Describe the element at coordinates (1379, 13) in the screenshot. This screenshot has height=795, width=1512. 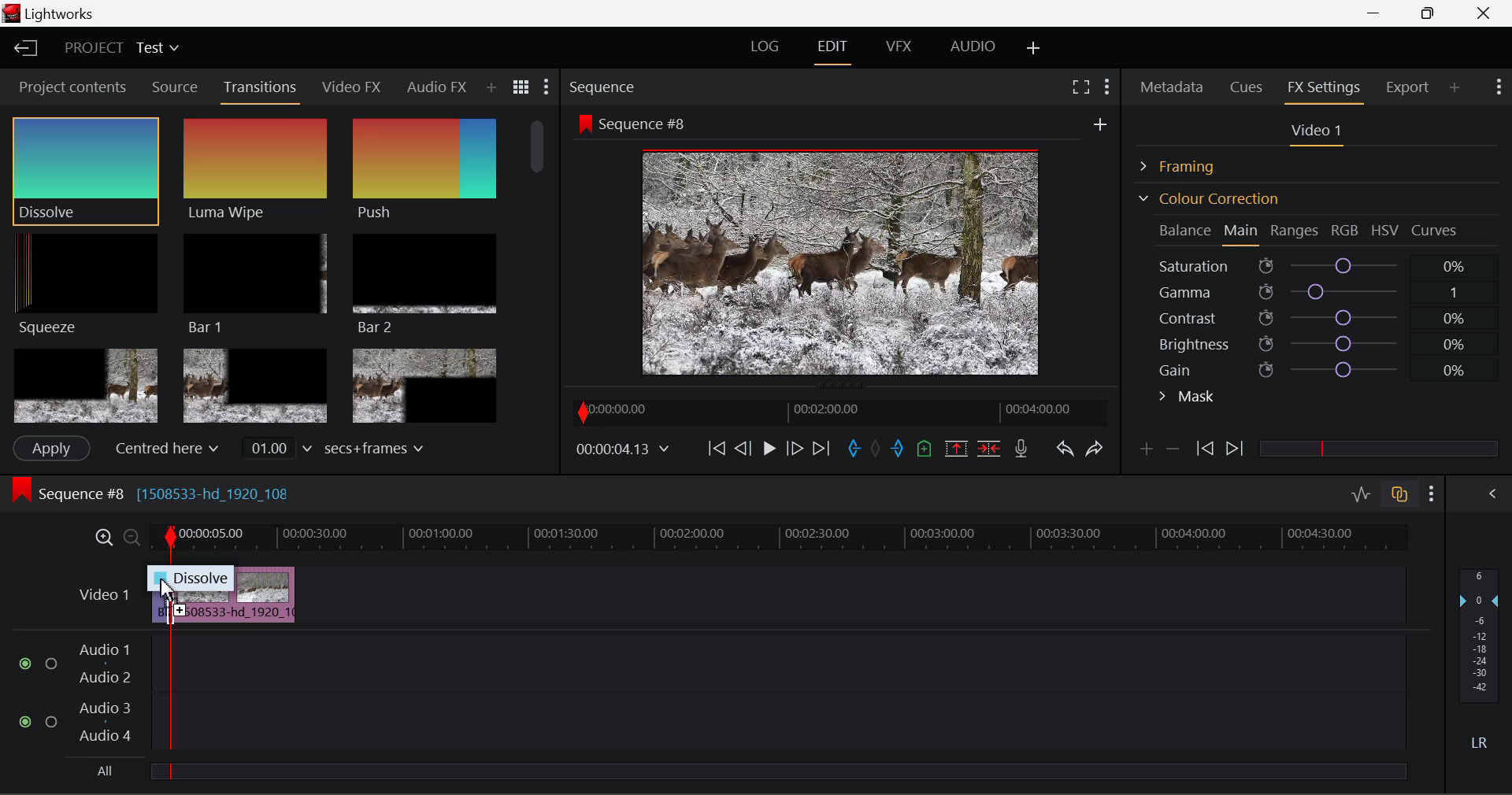
I see `Restore Down` at that location.